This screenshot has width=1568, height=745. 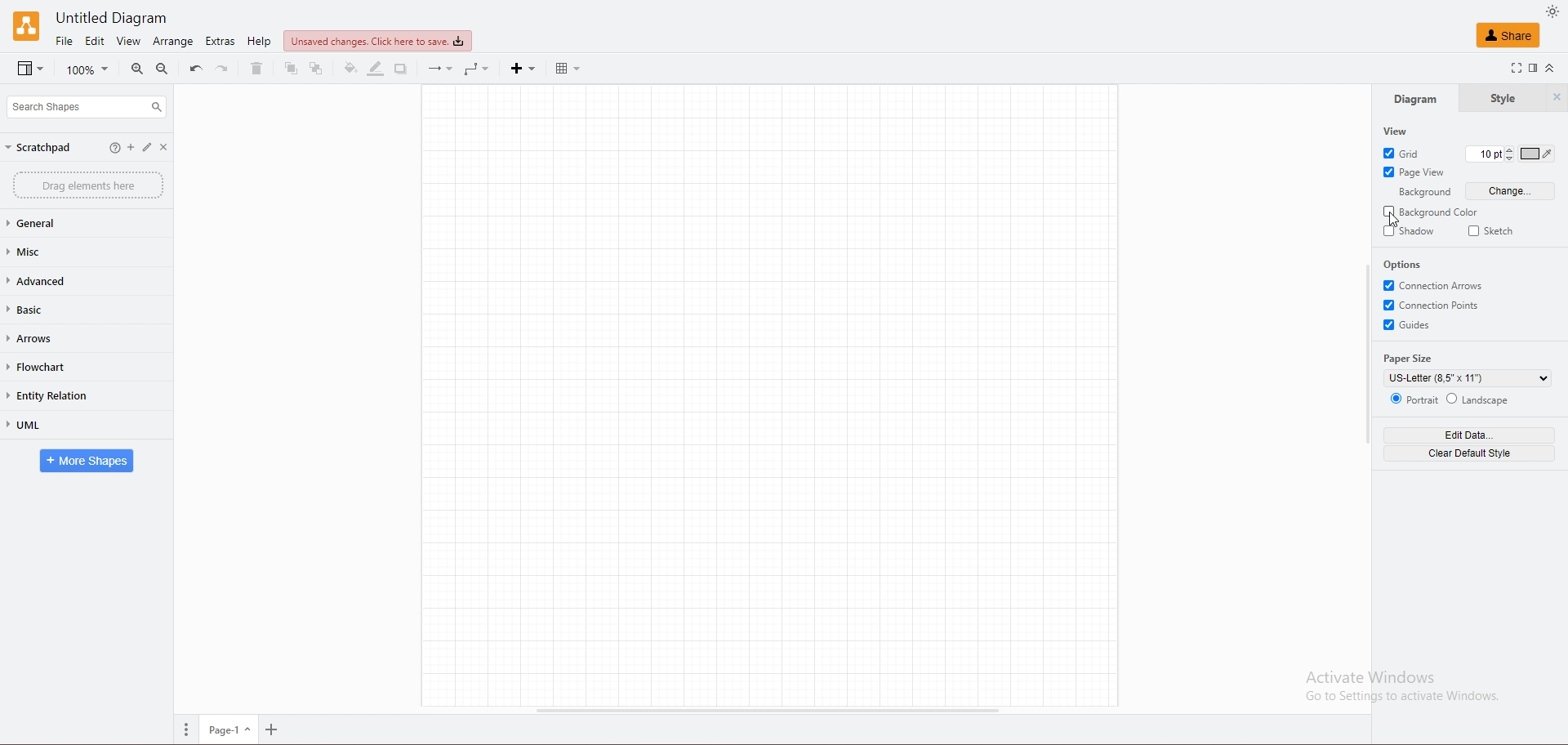 I want to click on dark mode, so click(x=1552, y=11).